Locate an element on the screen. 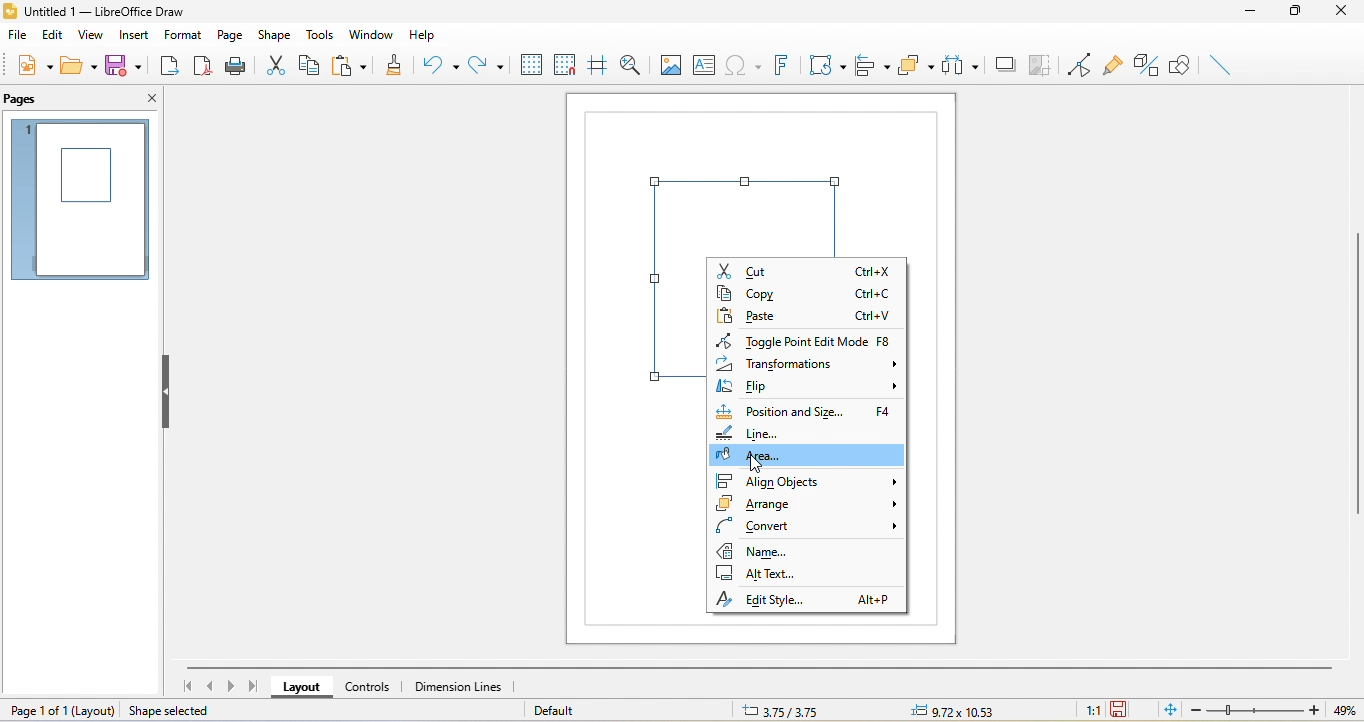 The image size is (1364, 722). view is located at coordinates (93, 38).